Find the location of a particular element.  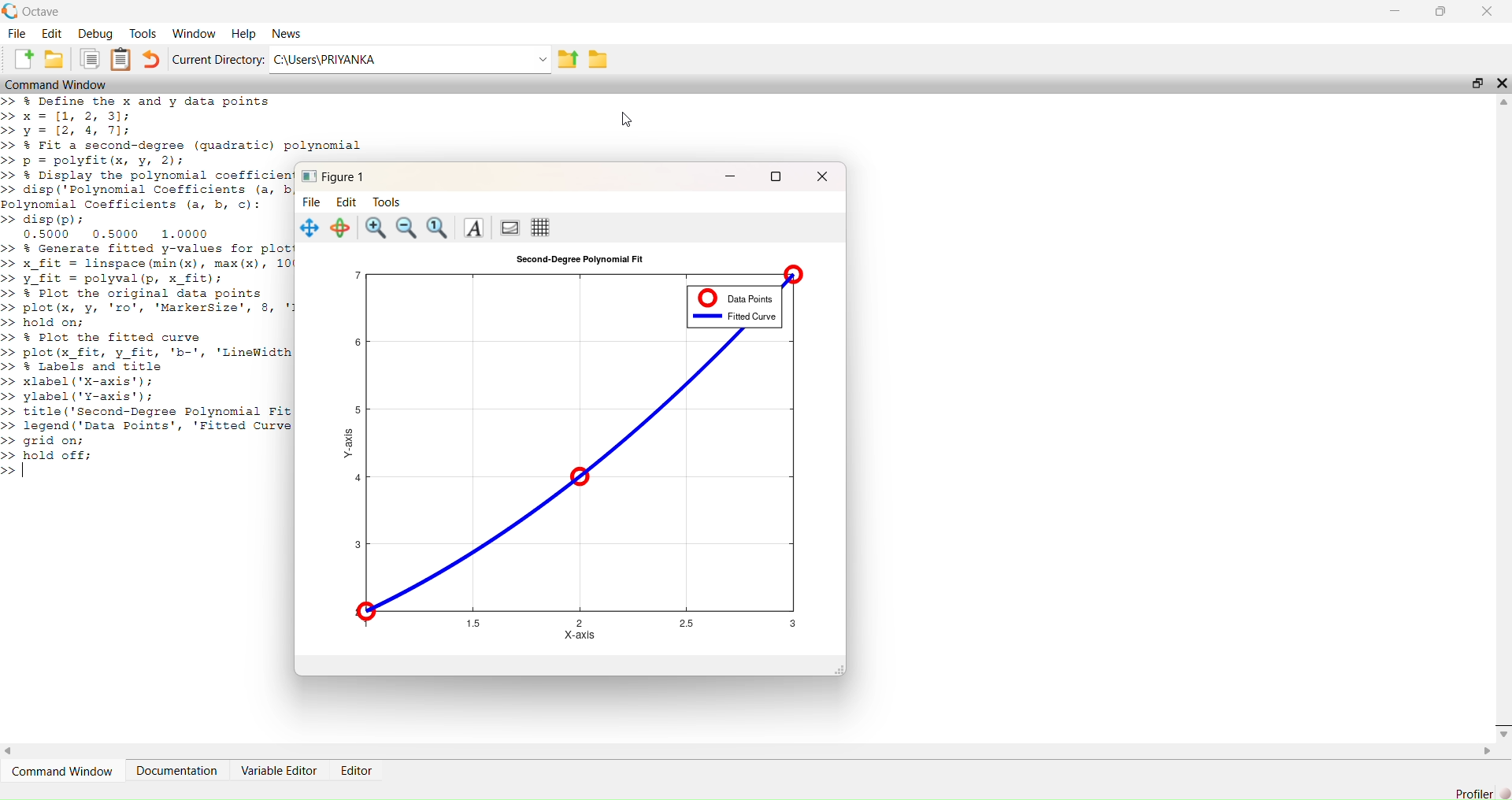

Window is located at coordinates (194, 35).